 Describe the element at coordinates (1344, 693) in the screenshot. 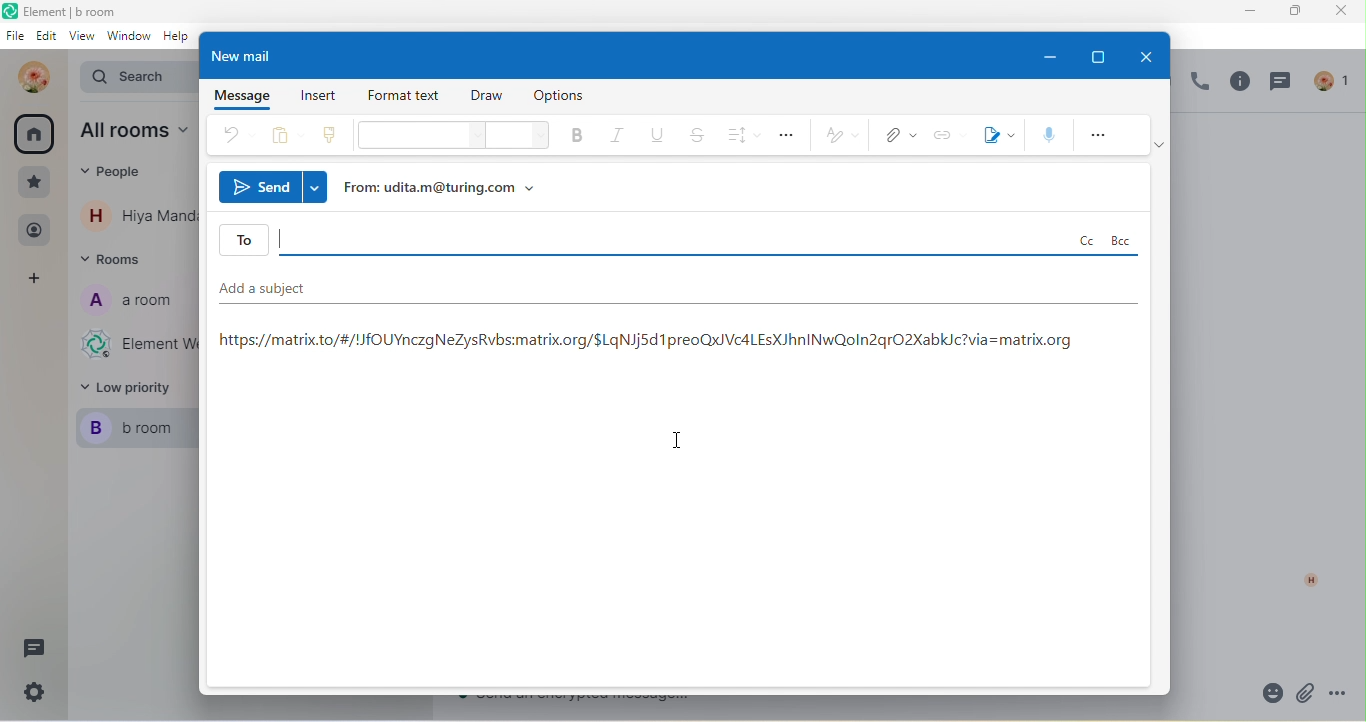

I see `option` at that location.